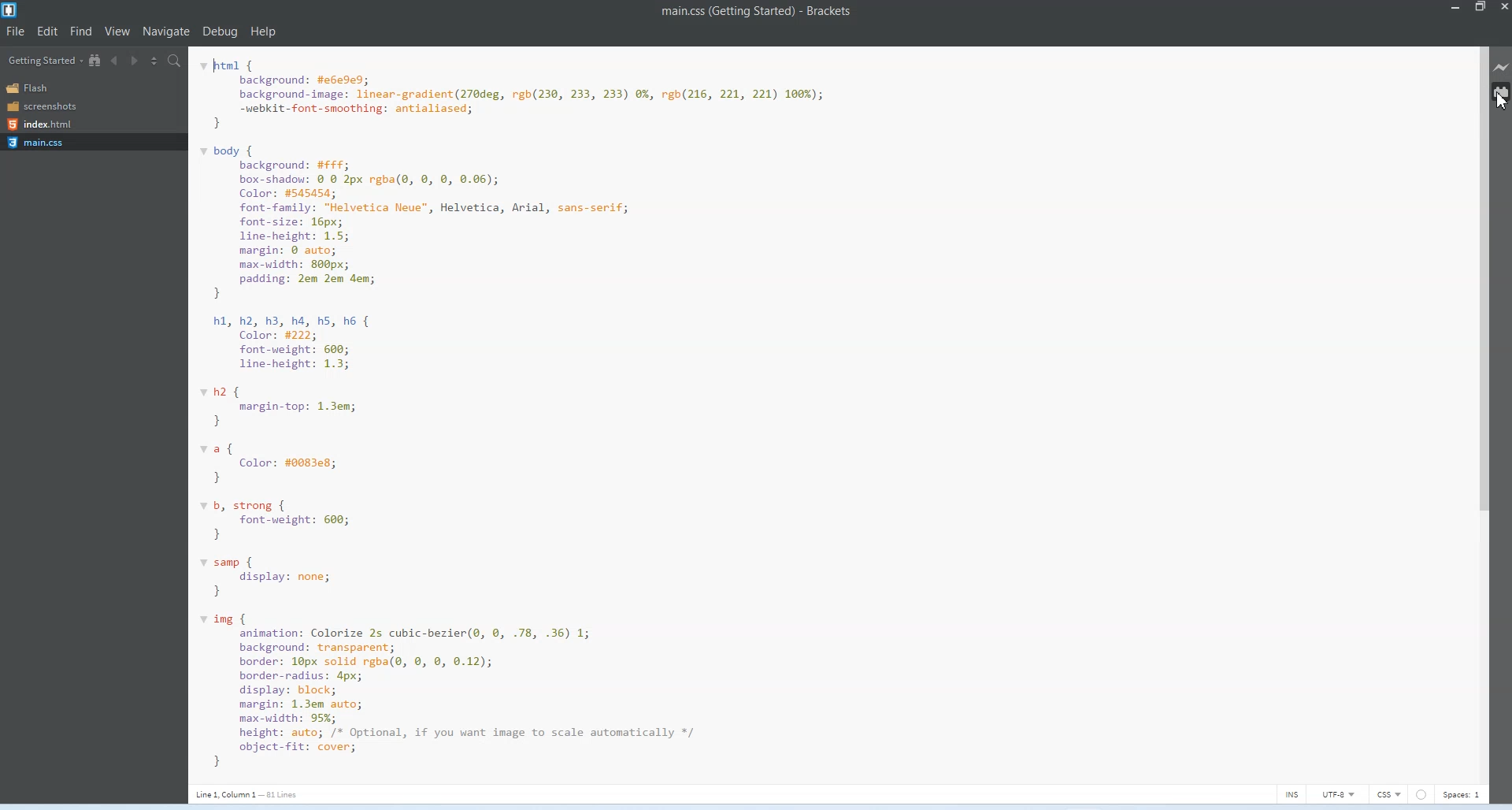  Describe the element at coordinates (1477, 414) in the screenshot. I see `Vertical Scroll bar` at that location.